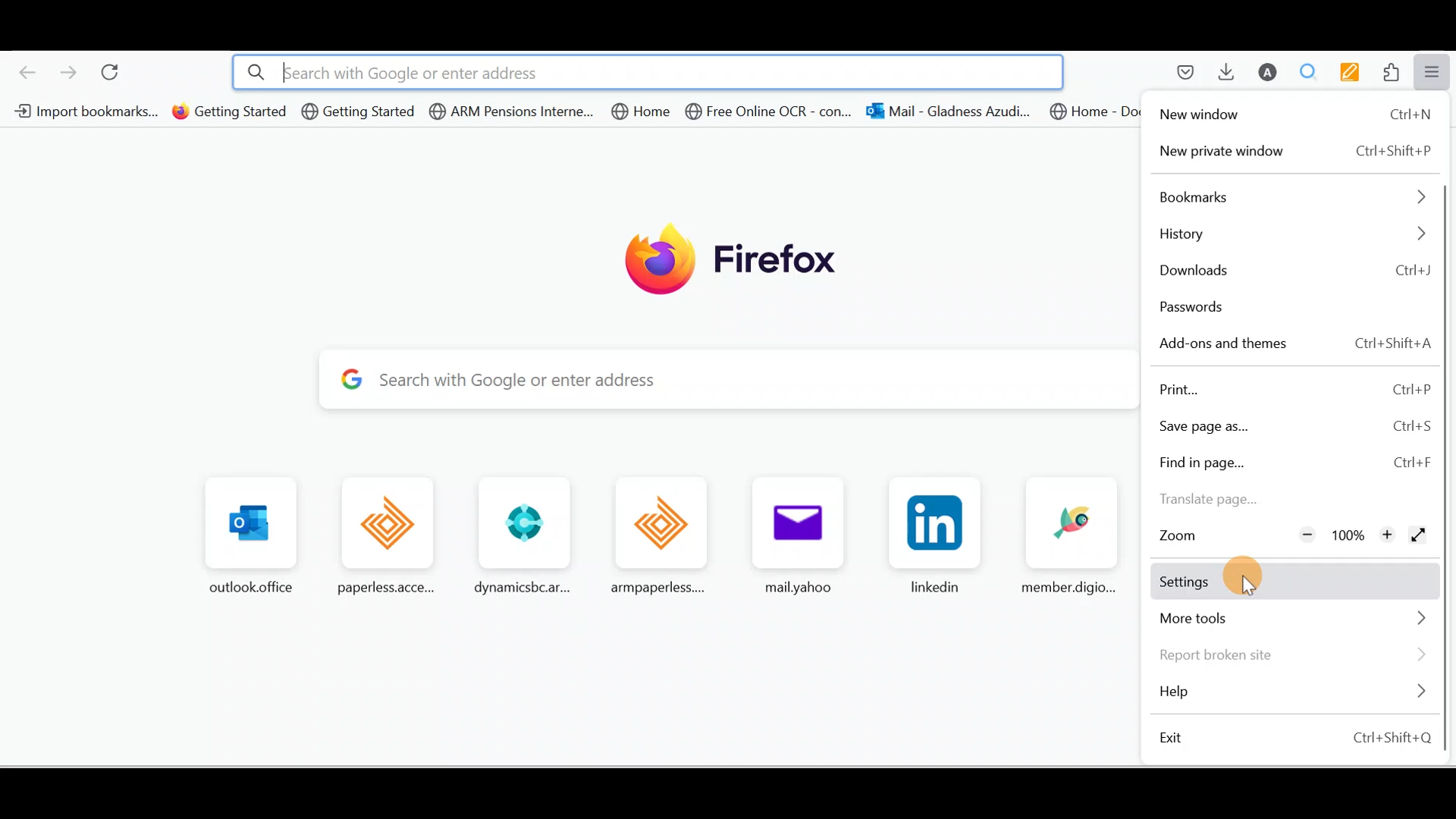 The height and width of the screenshot is (819, 1456). I want to click on Bookmark 5, so click(640, 112).